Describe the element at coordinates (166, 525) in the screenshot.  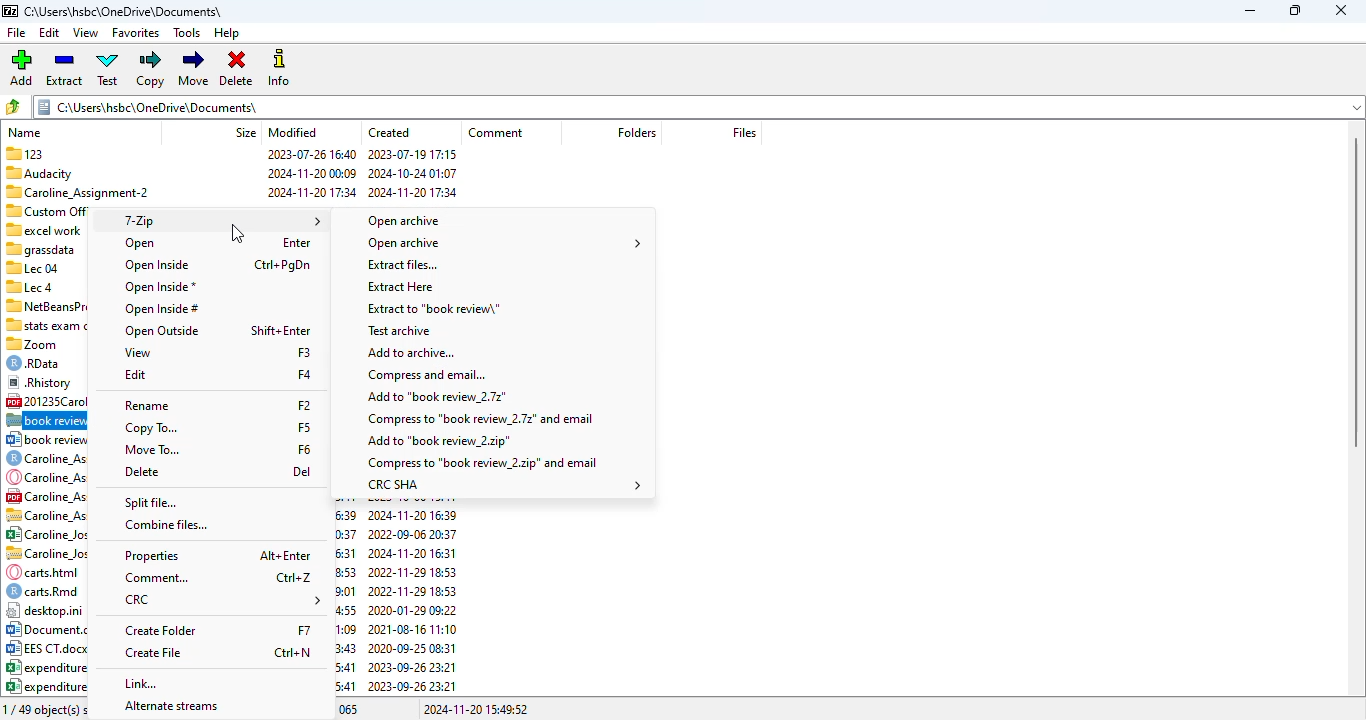
I see `combine files` at that location.